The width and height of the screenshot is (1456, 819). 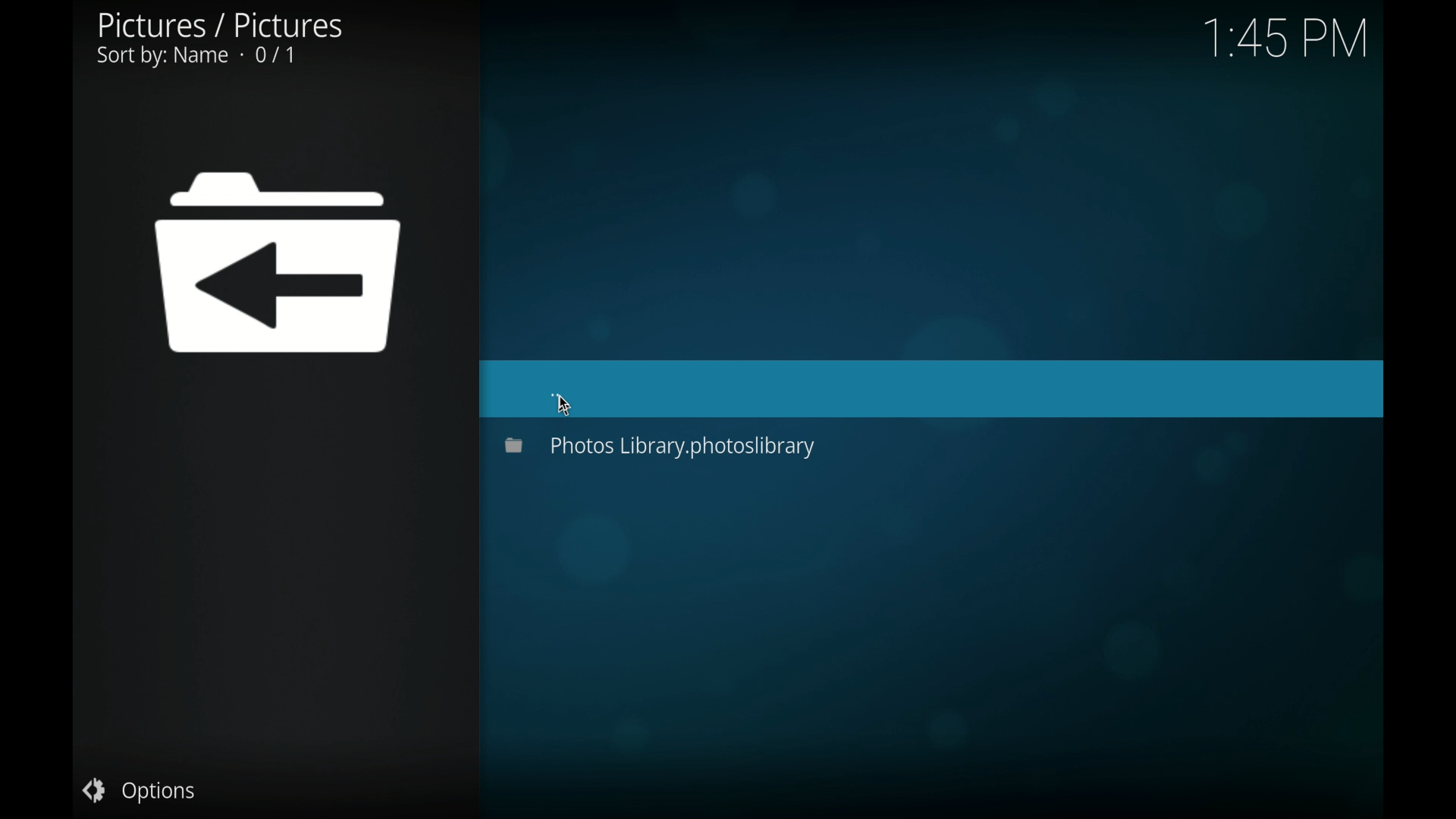 What do you see at coordinates (556, 394) in the screenshot?
I see `dots icon` at bounding box center [556, 394].